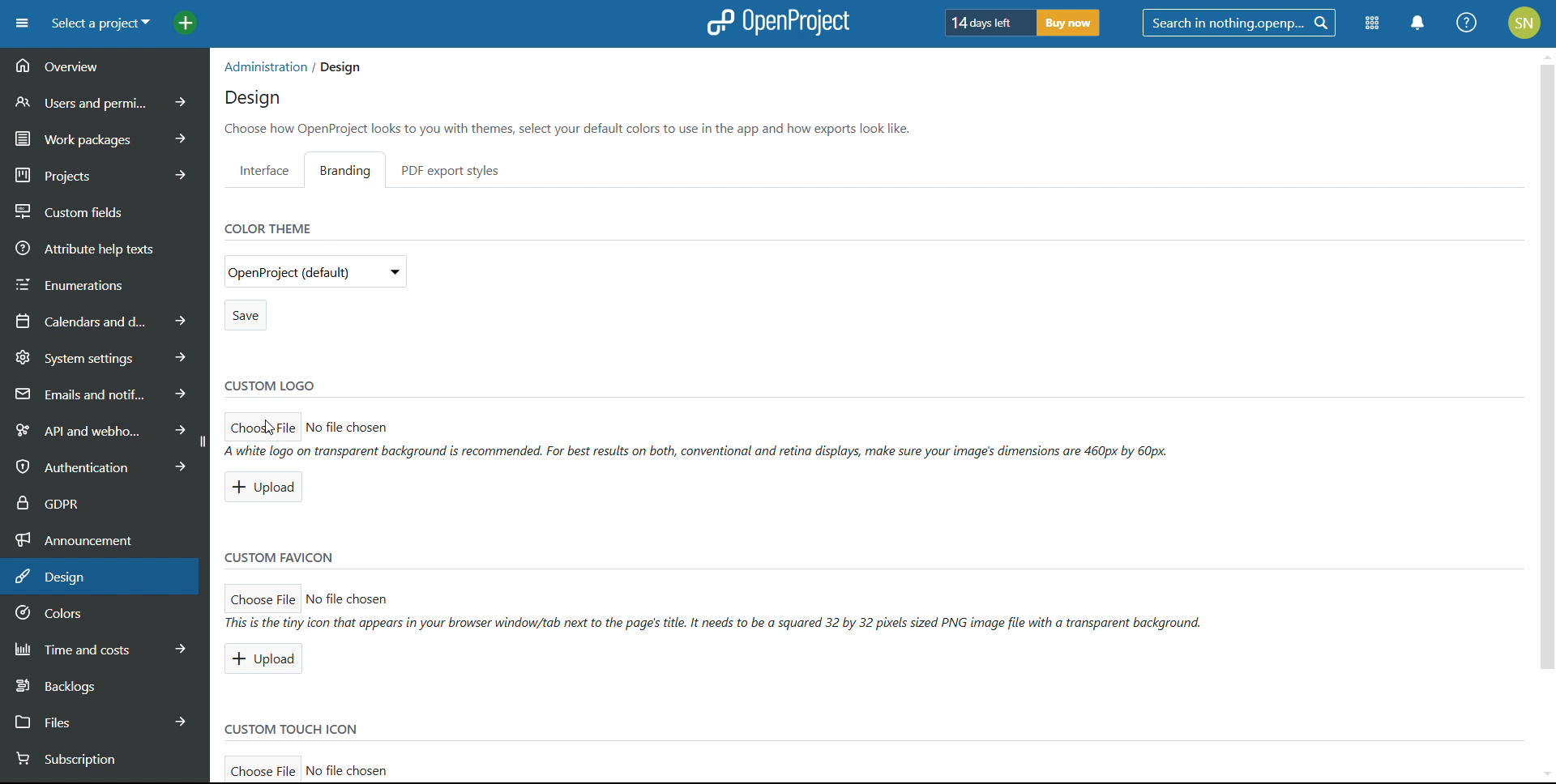 This screenshot has width=1556, height=784. I want to click on backlogs, so click(102, 684).